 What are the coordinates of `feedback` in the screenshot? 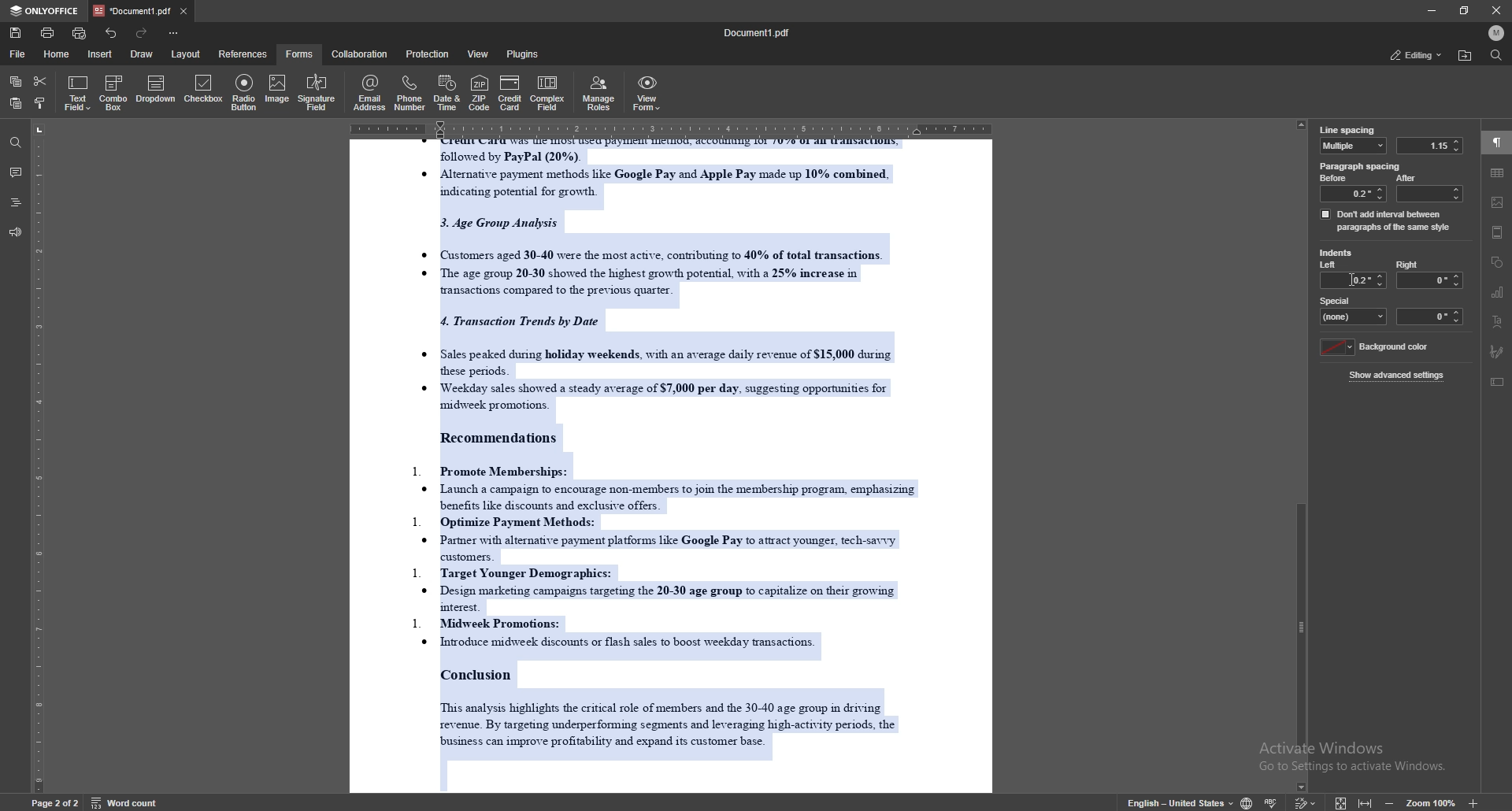 It's located at (15, 233).